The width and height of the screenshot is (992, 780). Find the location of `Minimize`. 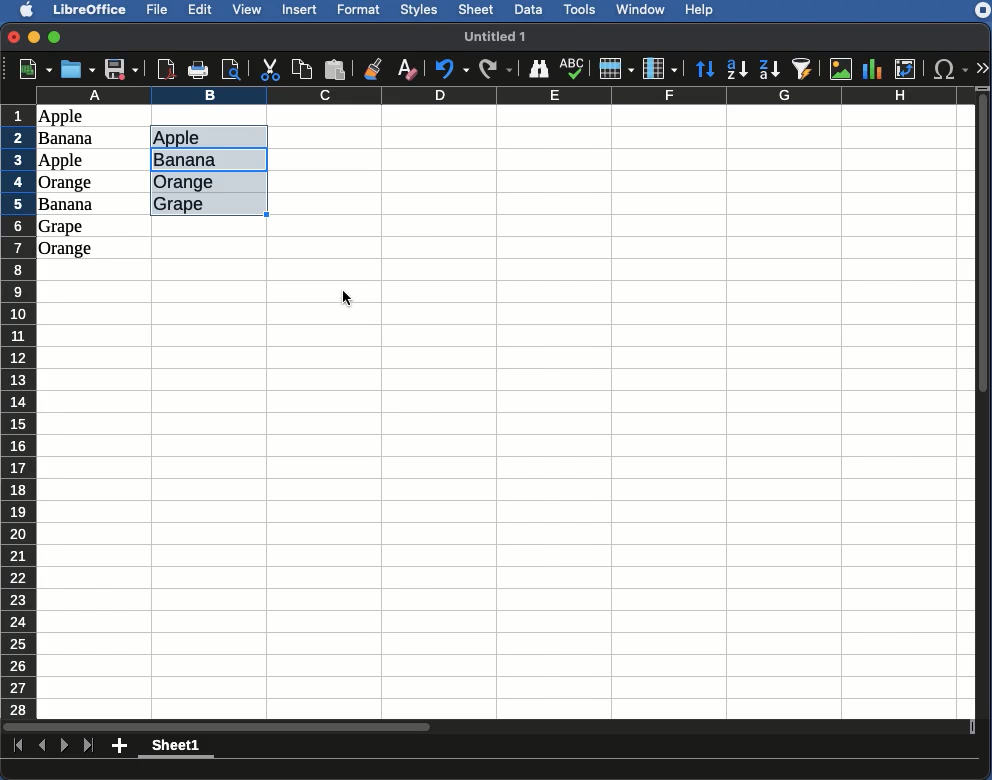

Minimize is located at coordinates (35, 37).